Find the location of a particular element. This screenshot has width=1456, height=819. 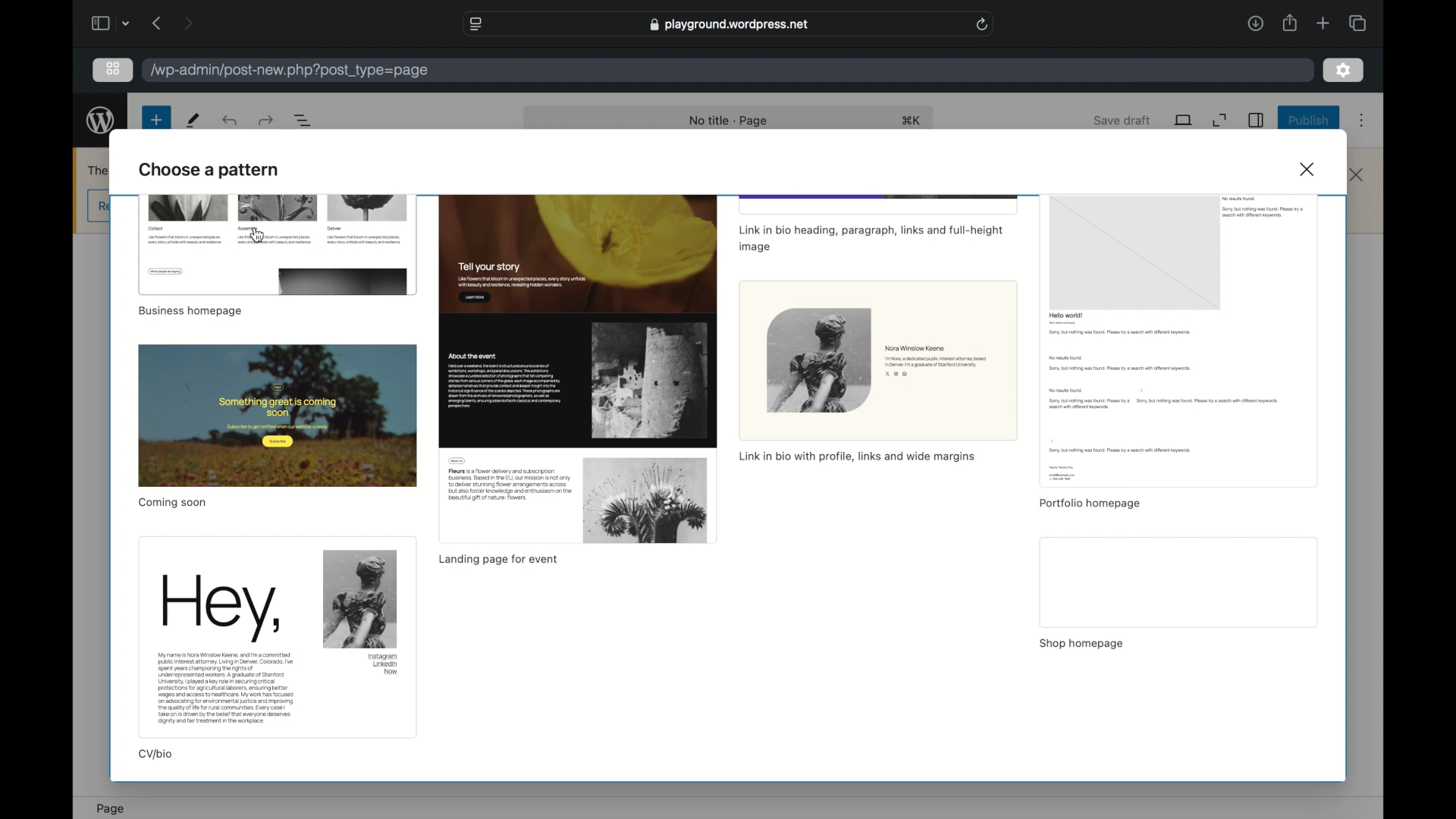

new is located at coordinates (156, 120).